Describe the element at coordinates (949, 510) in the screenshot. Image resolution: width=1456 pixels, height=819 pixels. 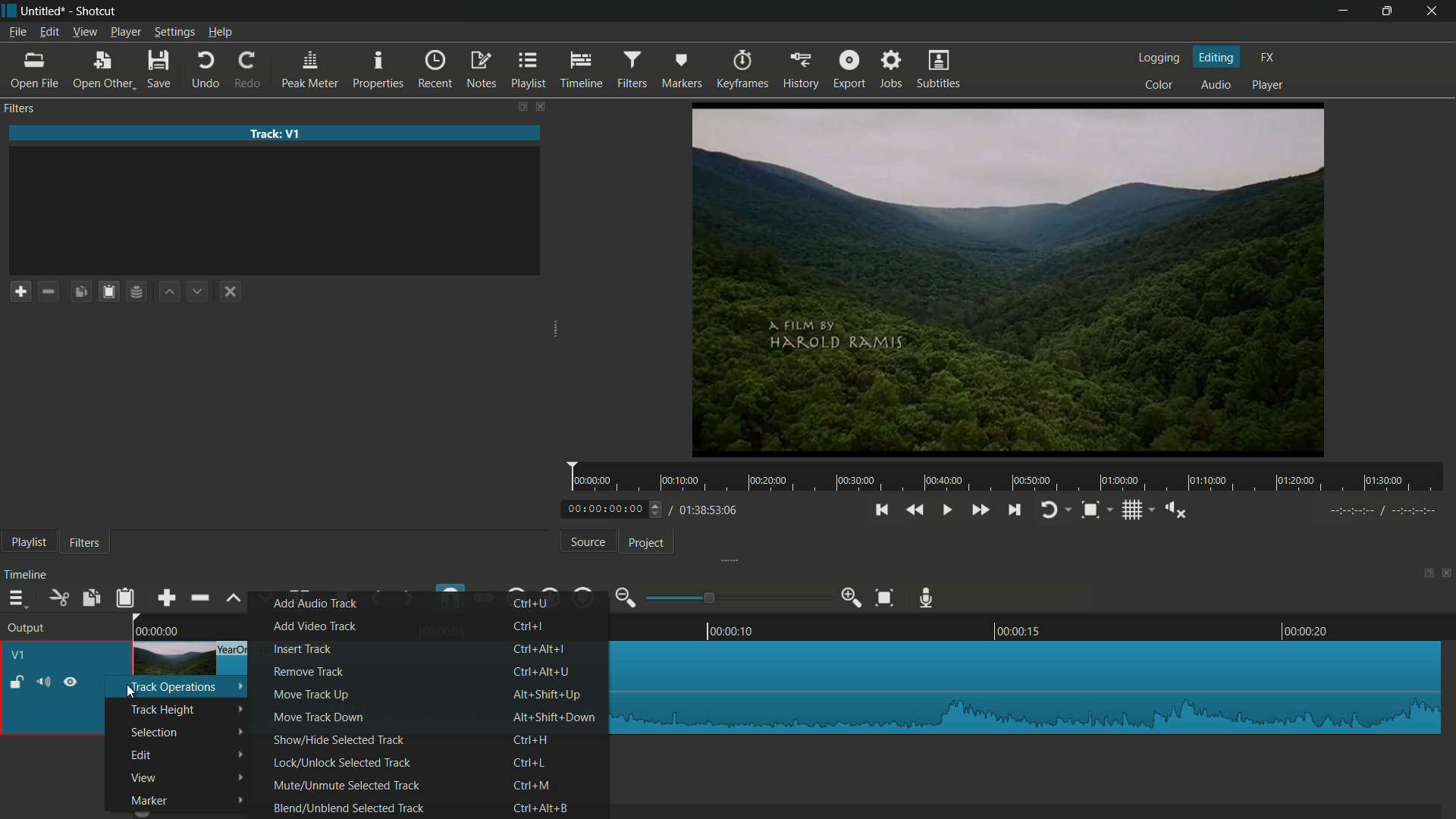
I see `toggle play or pause` at that location.